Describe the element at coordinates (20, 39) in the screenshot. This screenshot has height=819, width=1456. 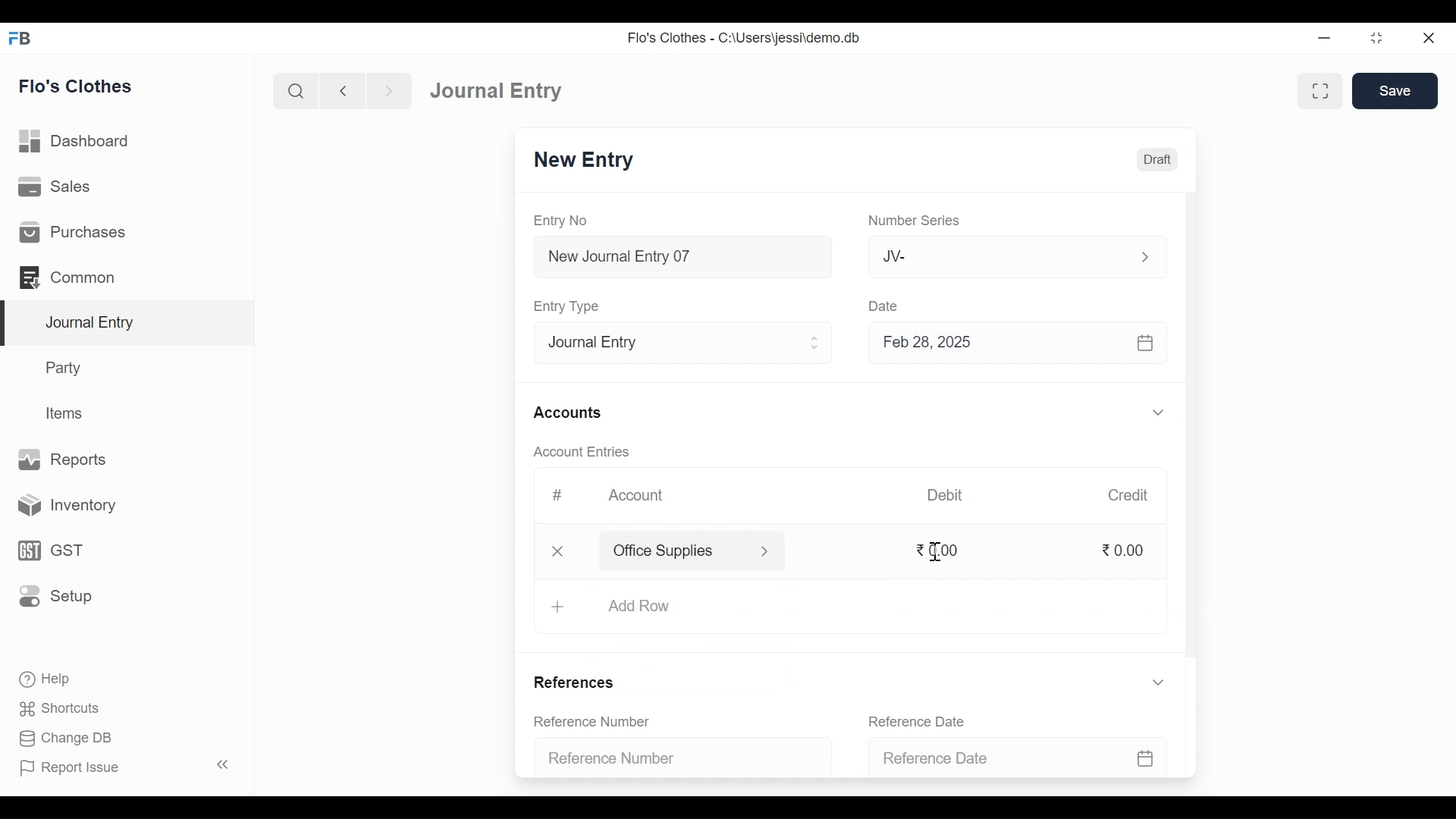
I see `Frappe Books Desktop Icon` at that location.